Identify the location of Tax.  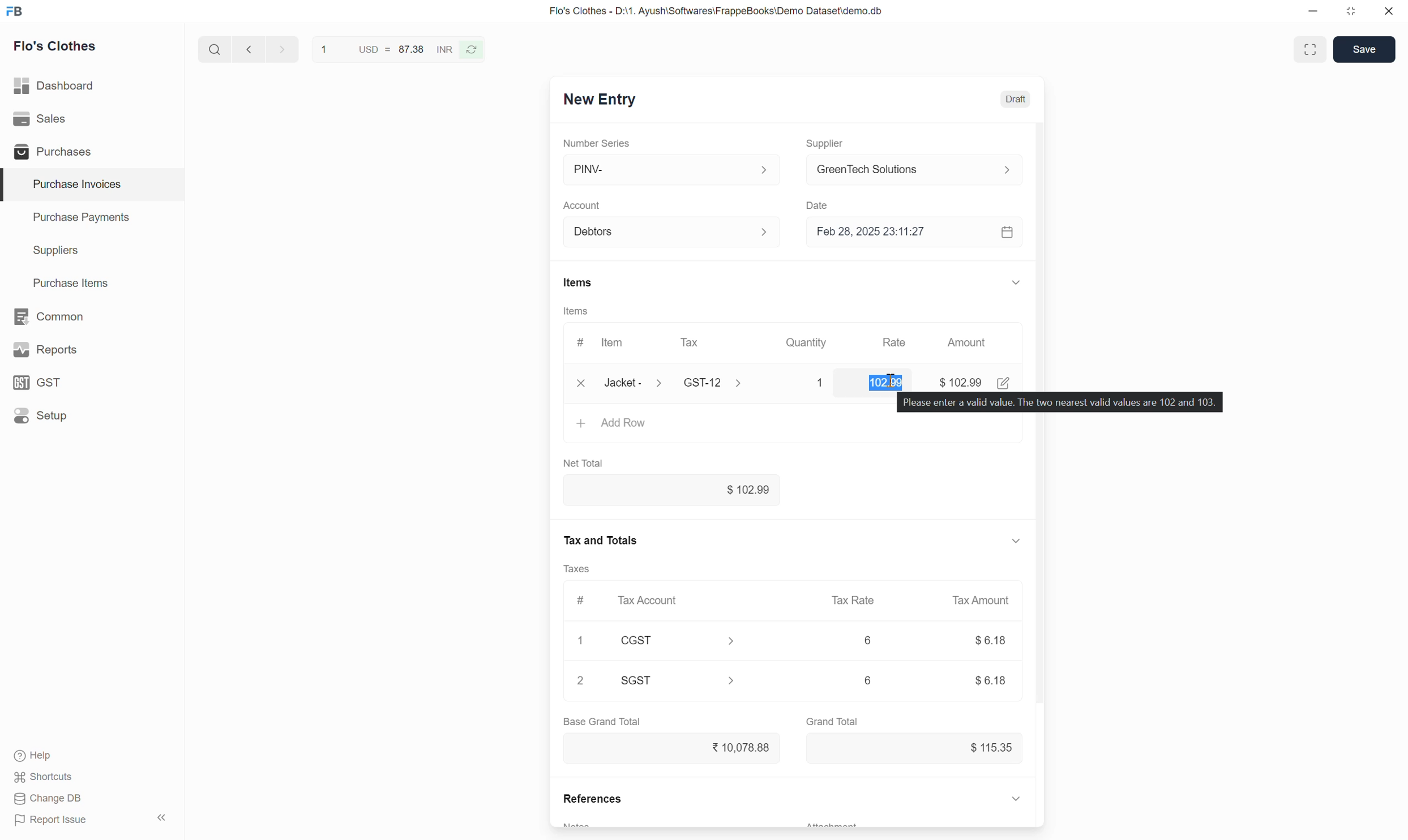
(712, 343).